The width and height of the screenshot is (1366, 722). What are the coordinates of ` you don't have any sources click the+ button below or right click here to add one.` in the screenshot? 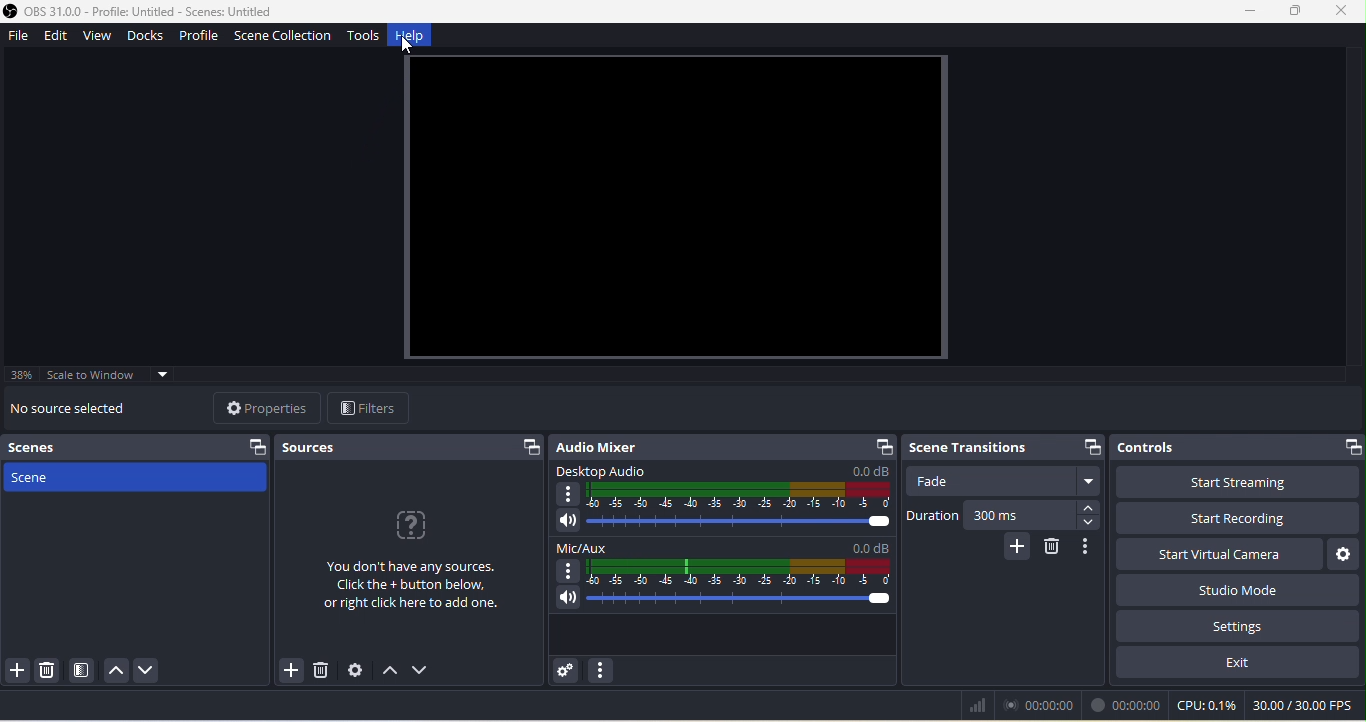 It's located at (409, 570).